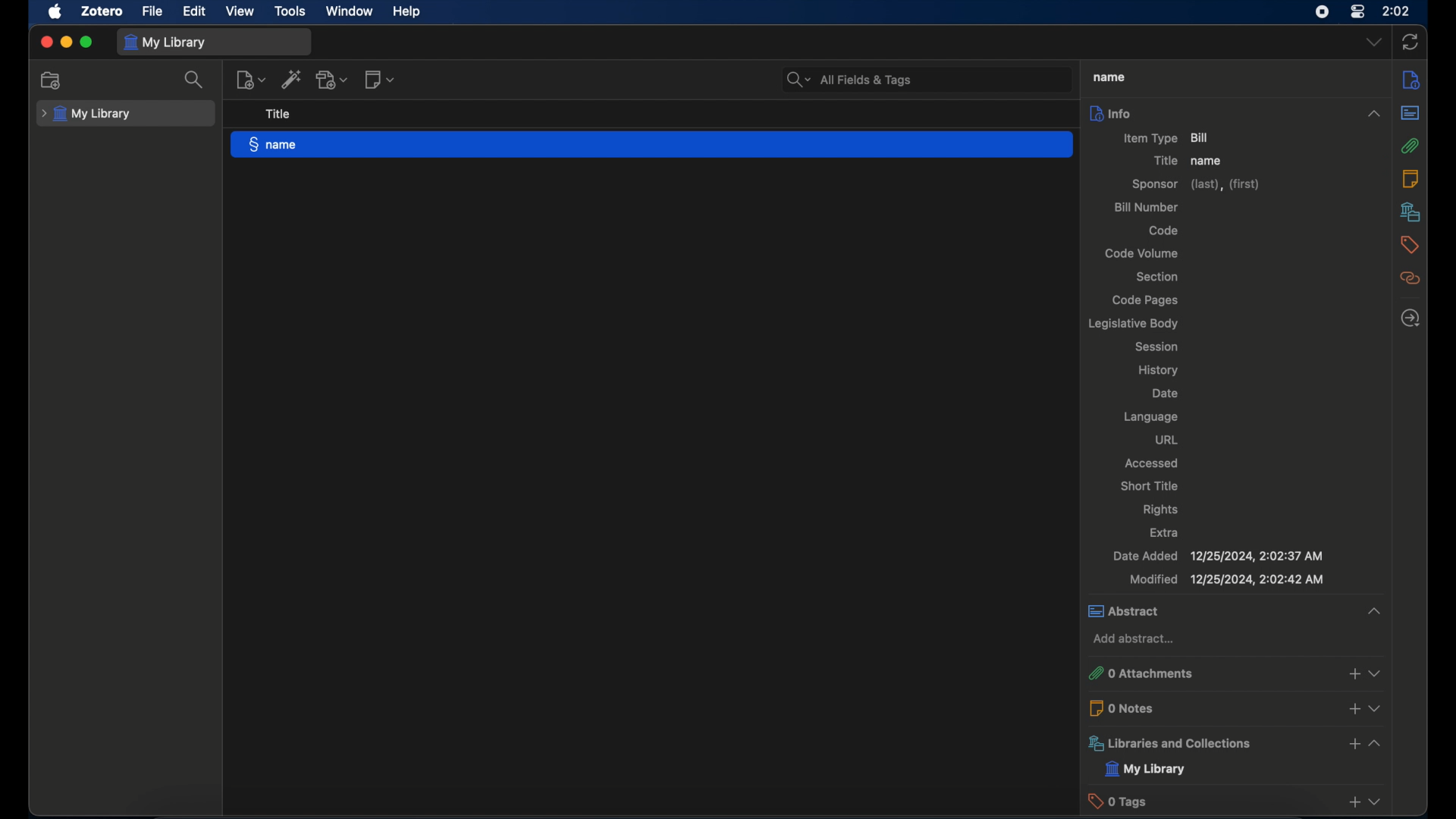  Describe the element at coordinates (1165, 161) in the screenshot. I see `title` at that location.